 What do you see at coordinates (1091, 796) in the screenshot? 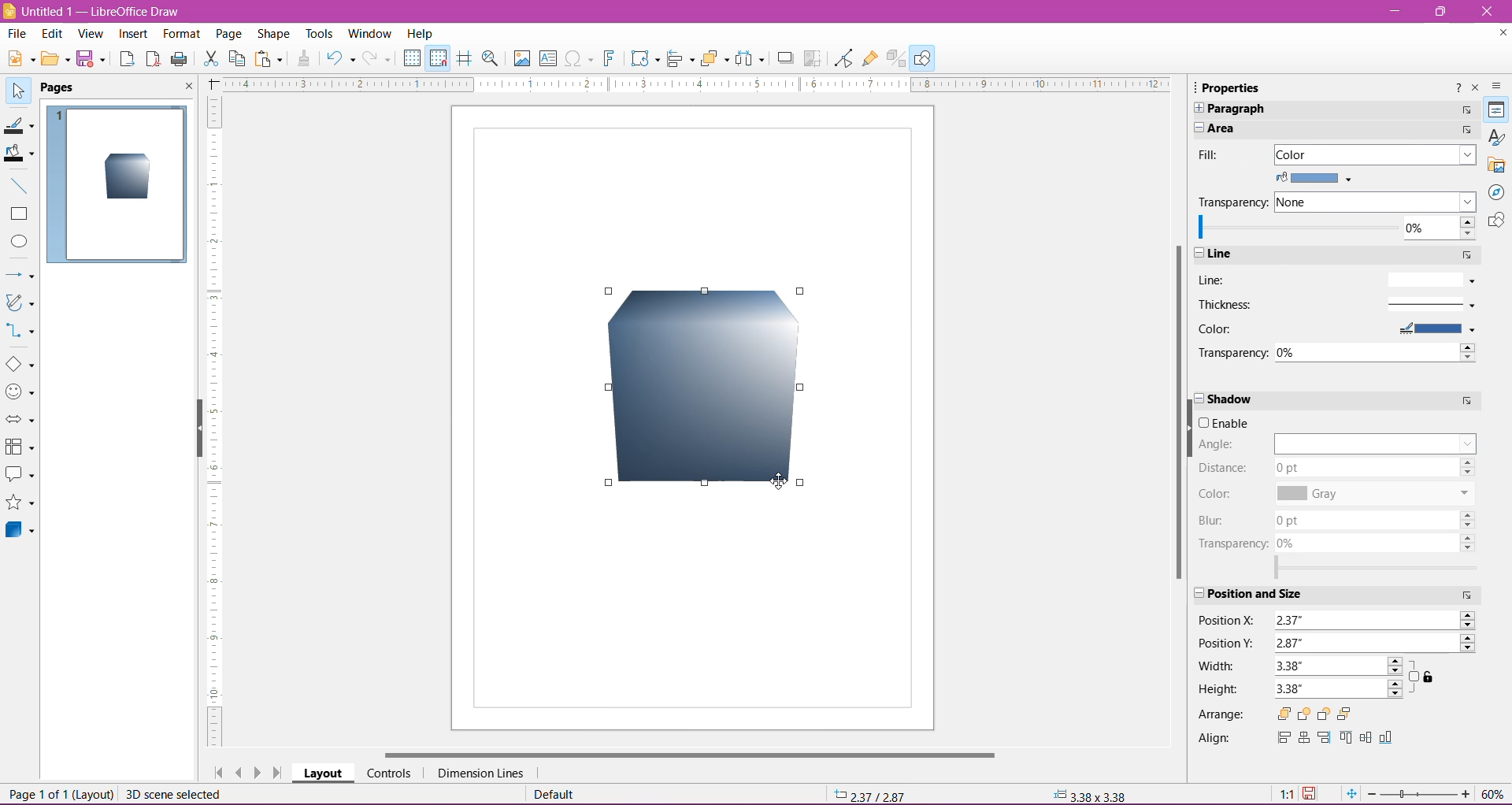
I see `Selected object size` at bounding box center [1091, 796].